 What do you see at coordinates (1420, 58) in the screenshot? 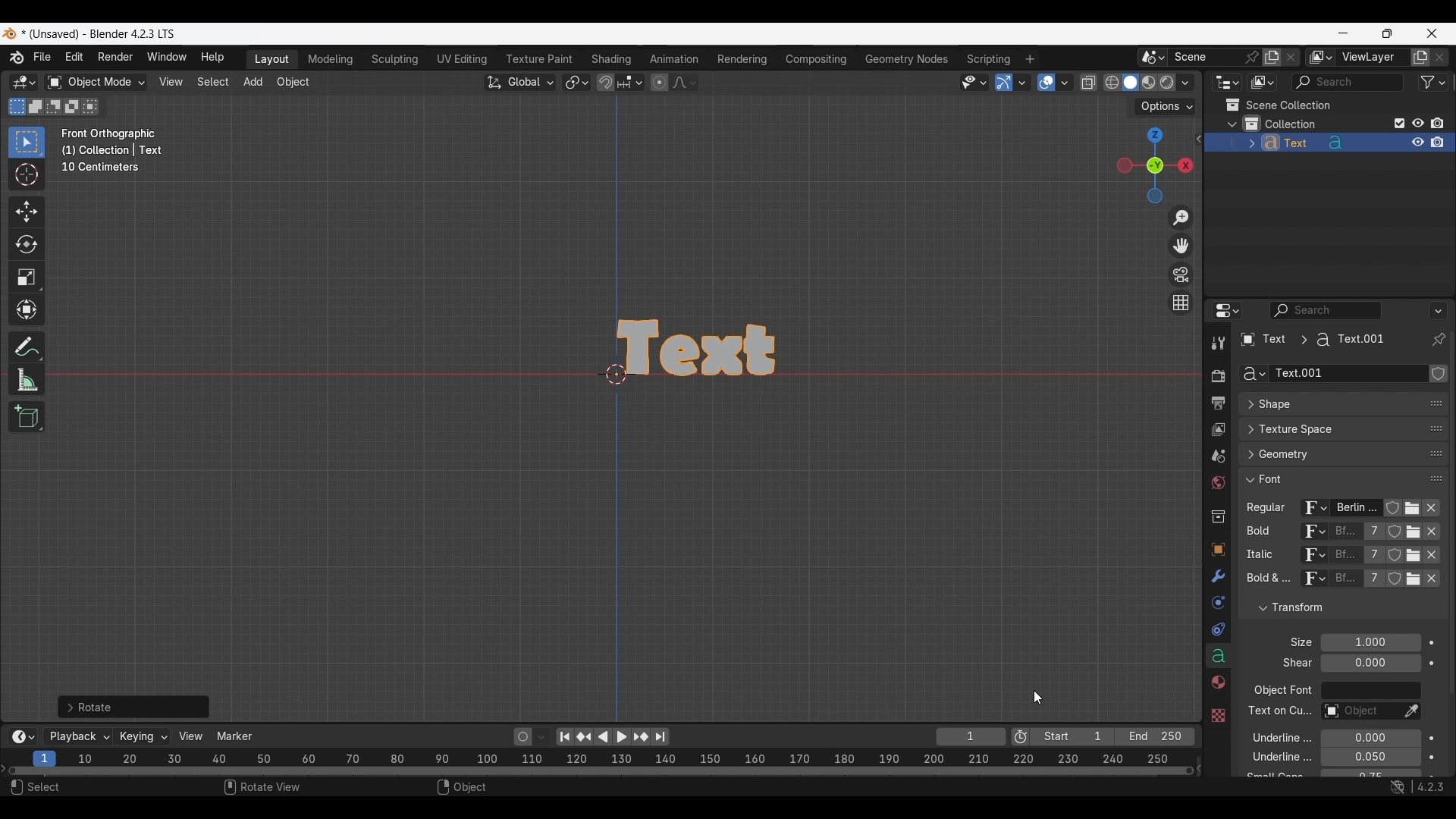
I see `Add view layer` at bounding box center [1420, 58].